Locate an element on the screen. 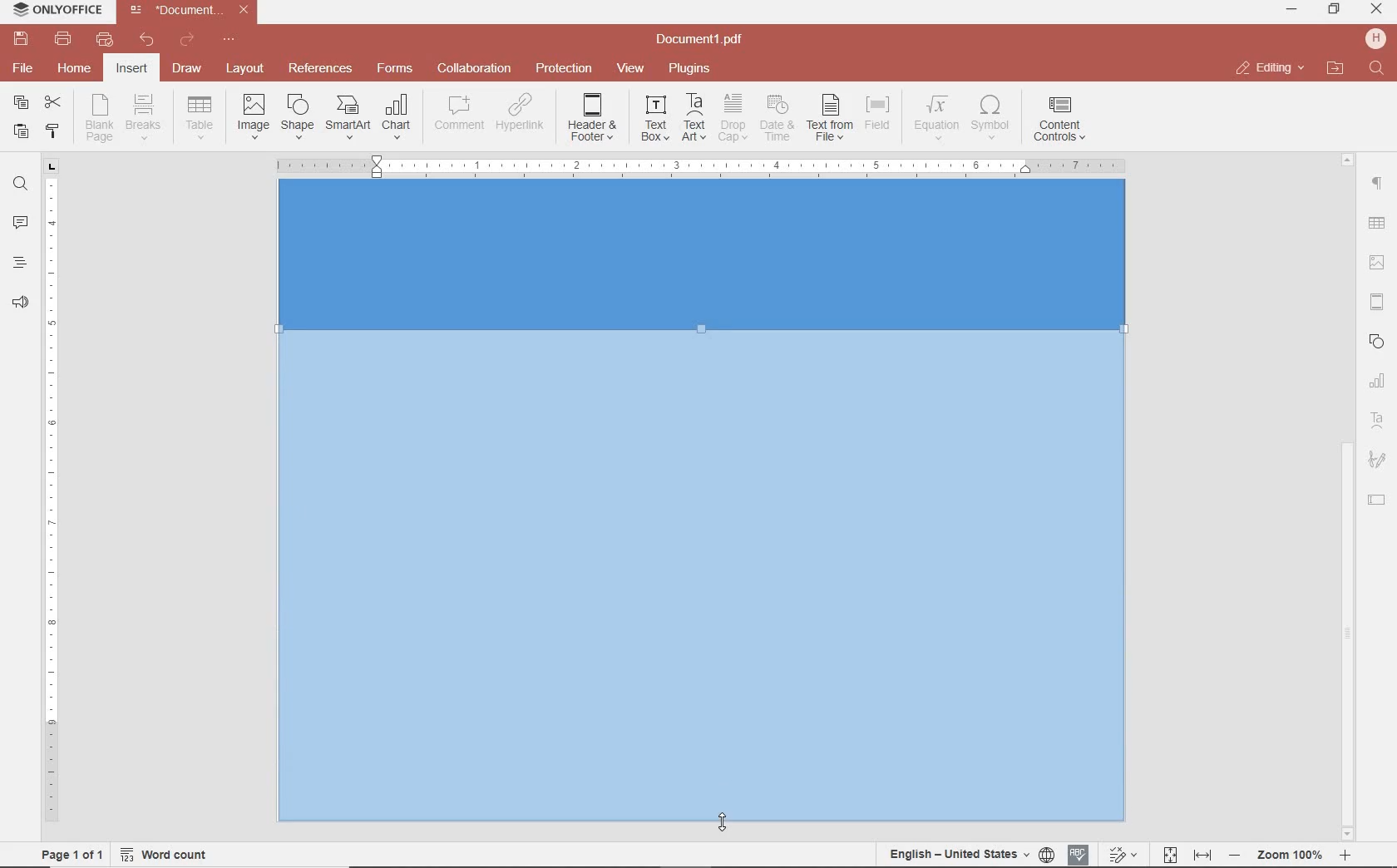  DROP CAP is located at coordinates (733, 118).